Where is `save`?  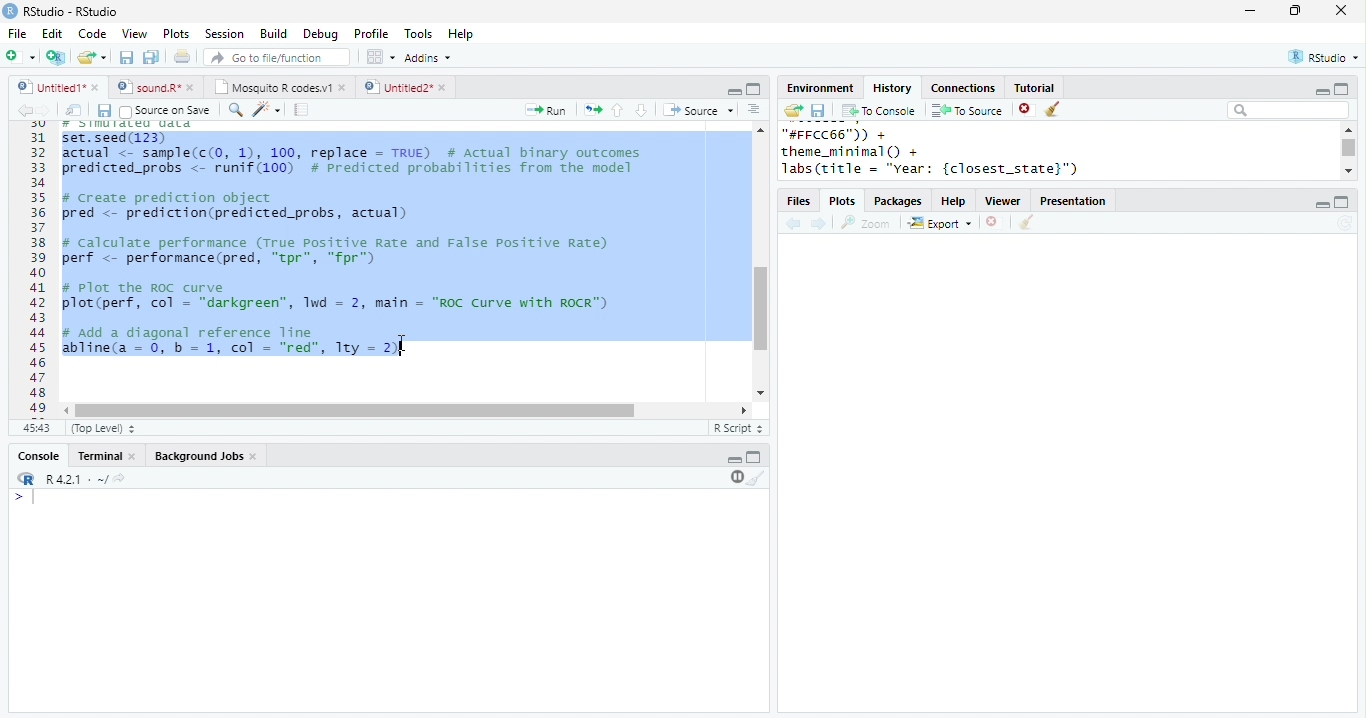
save is located at coordinates (126, 57).